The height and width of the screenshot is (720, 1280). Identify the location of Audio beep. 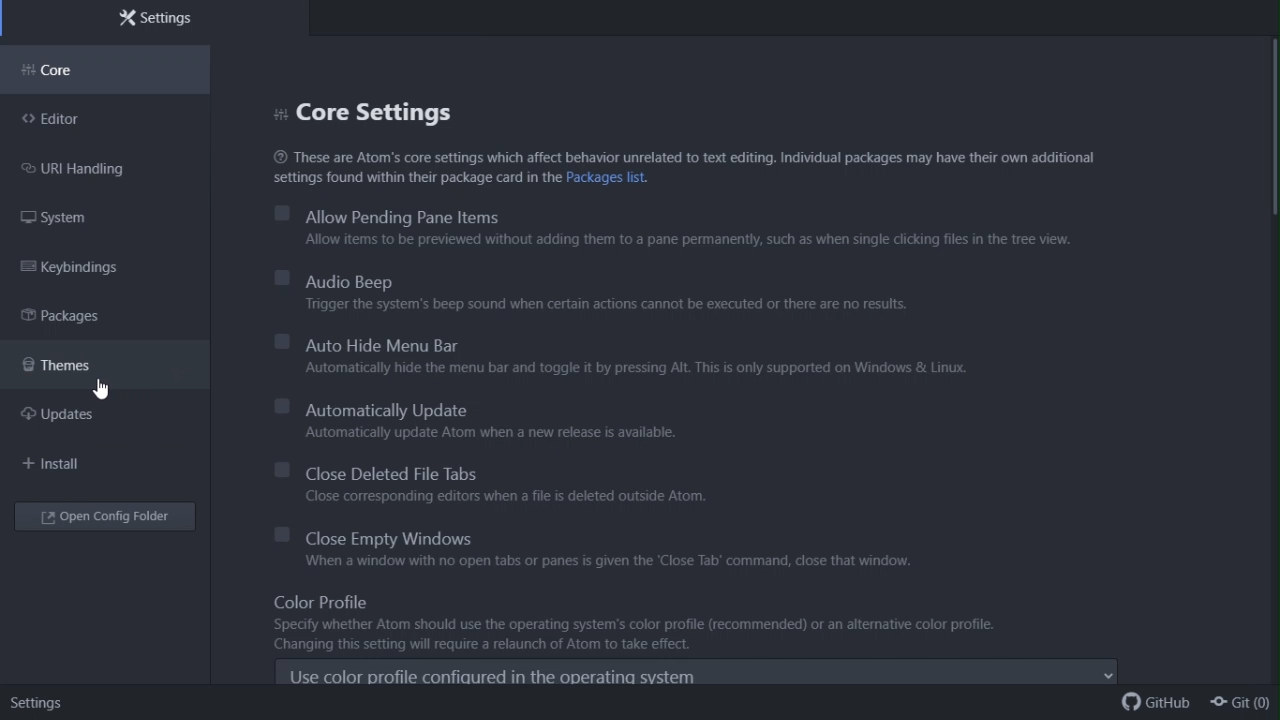
(583, 293).